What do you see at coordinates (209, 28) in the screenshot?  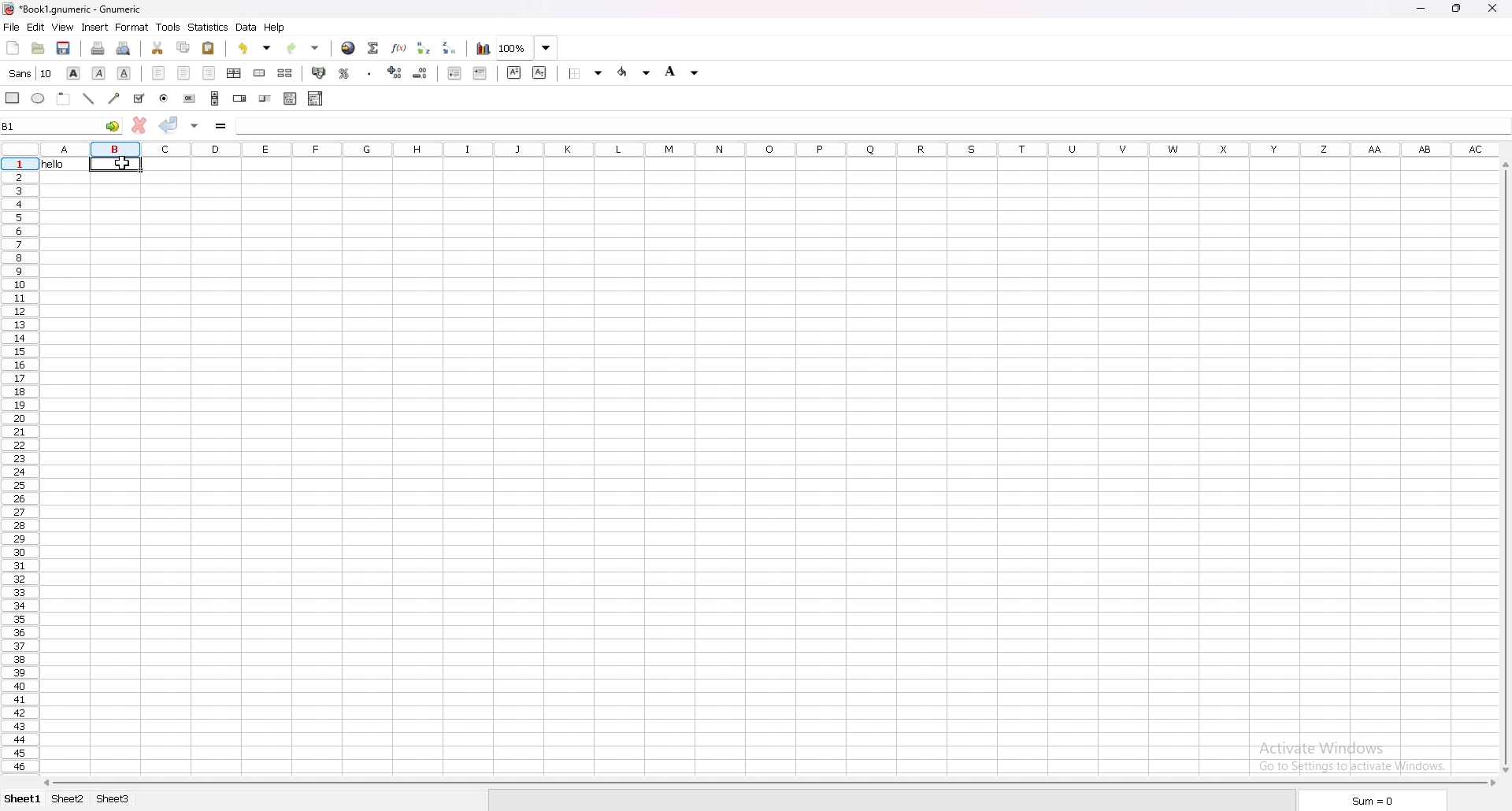 I see `statistics` at bounding box center [209, 28].